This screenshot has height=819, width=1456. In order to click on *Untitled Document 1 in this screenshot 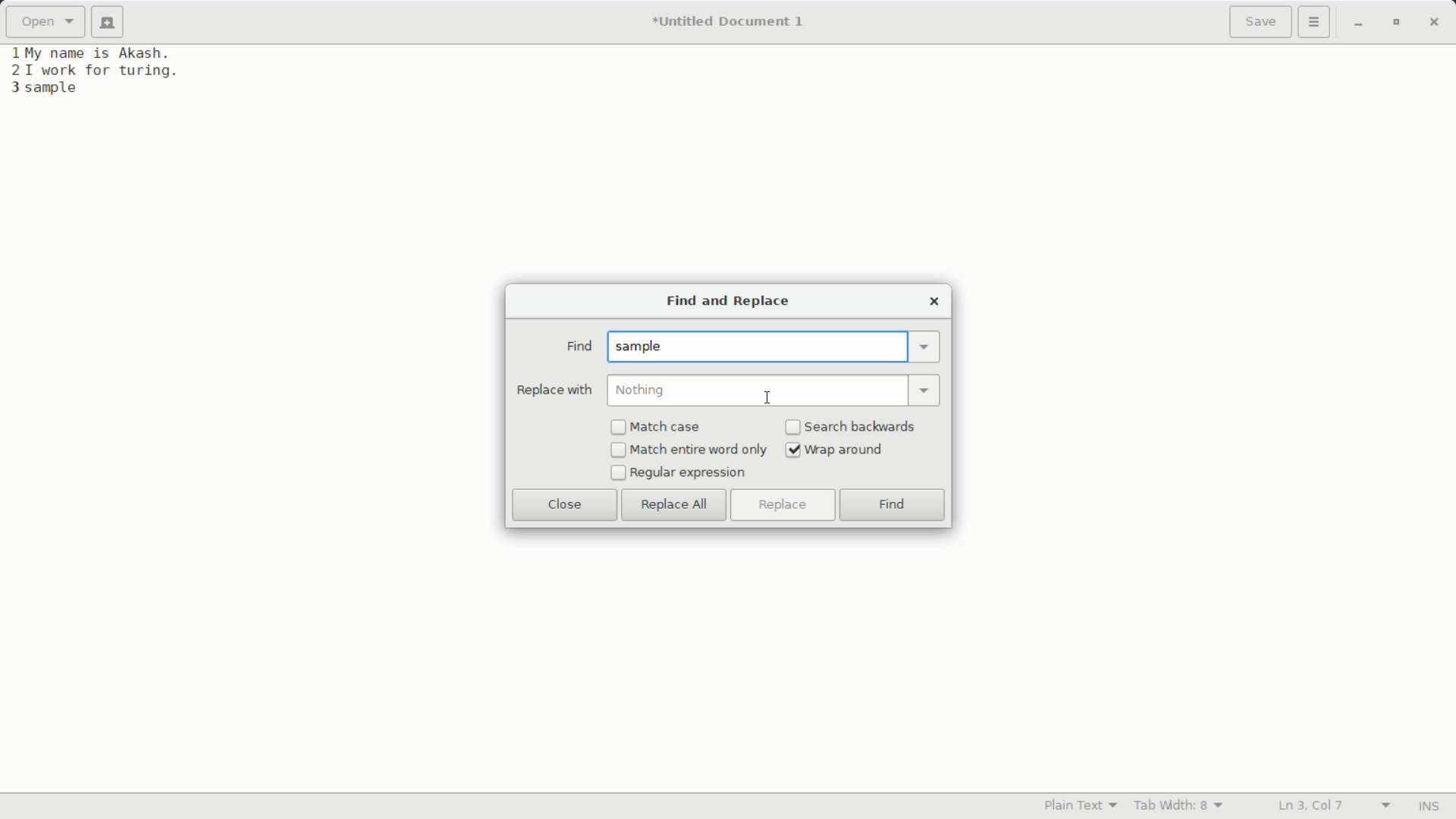, I will do `click(728, 24)`.